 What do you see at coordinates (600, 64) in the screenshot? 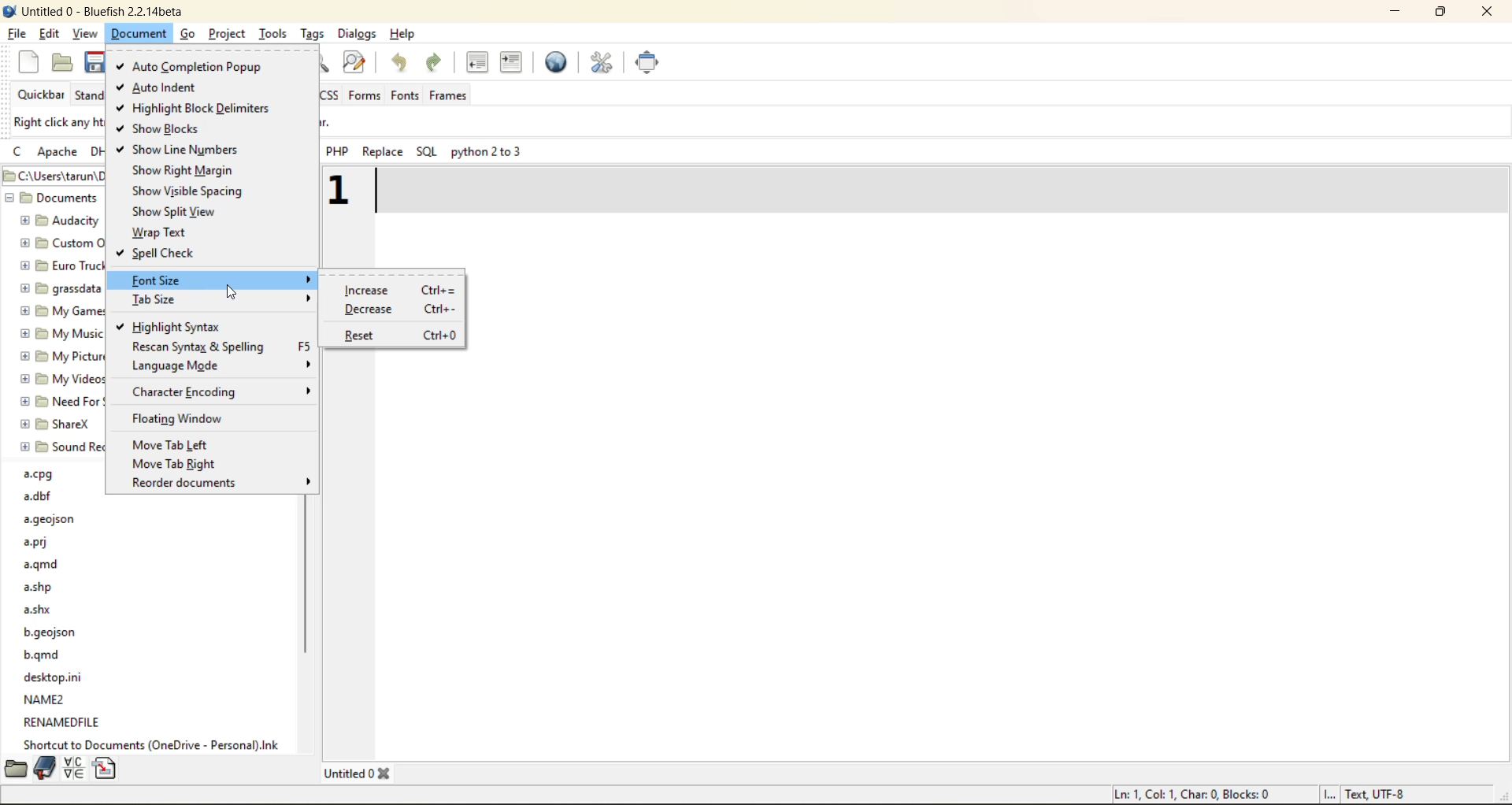
I see `edit preferences` at bounding box center [600, 64].